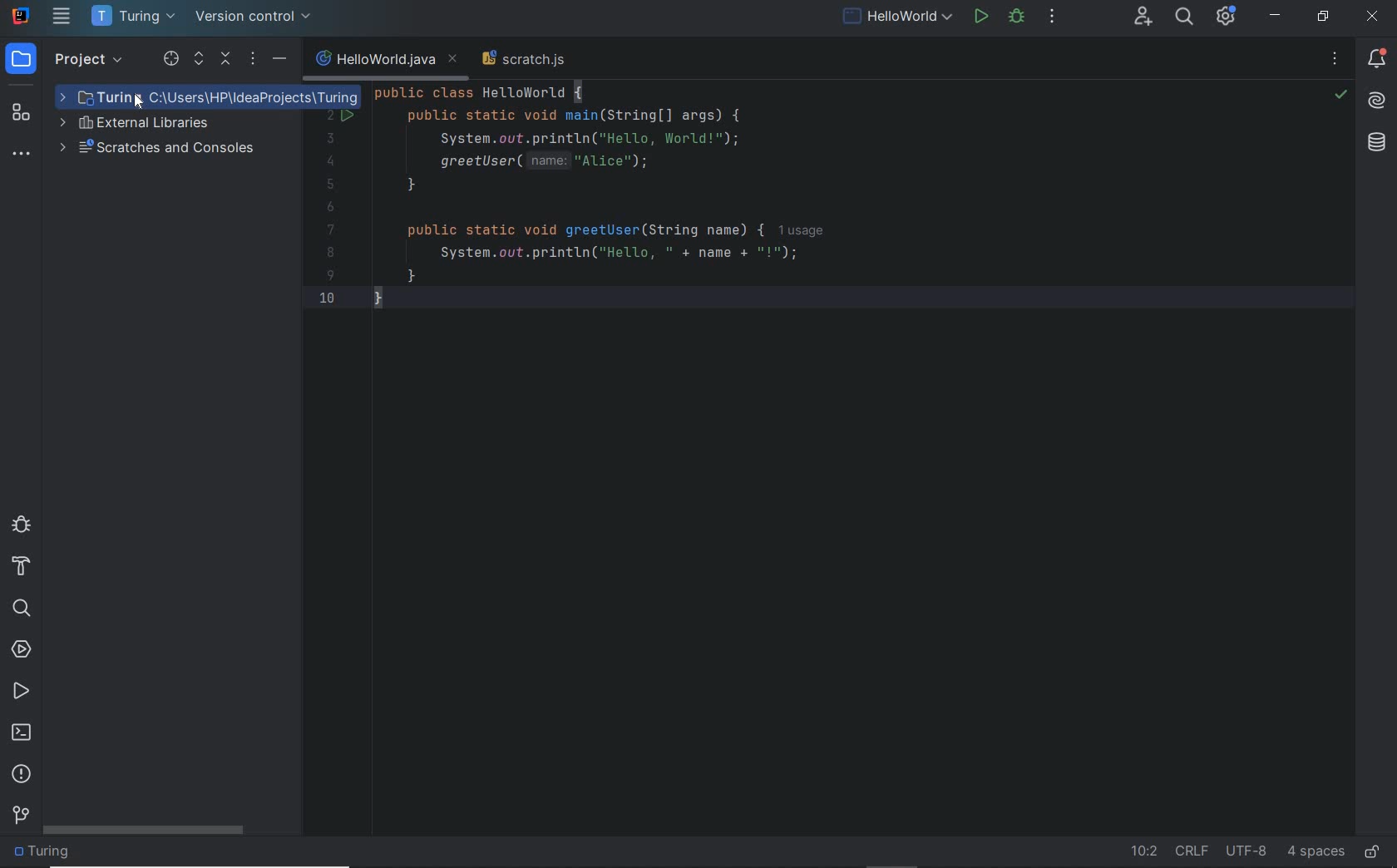 The height and width of the screenshot is (868, 1397). Describe the element at coordinates (980, 18) in the screenshot. I see `run` at that location.